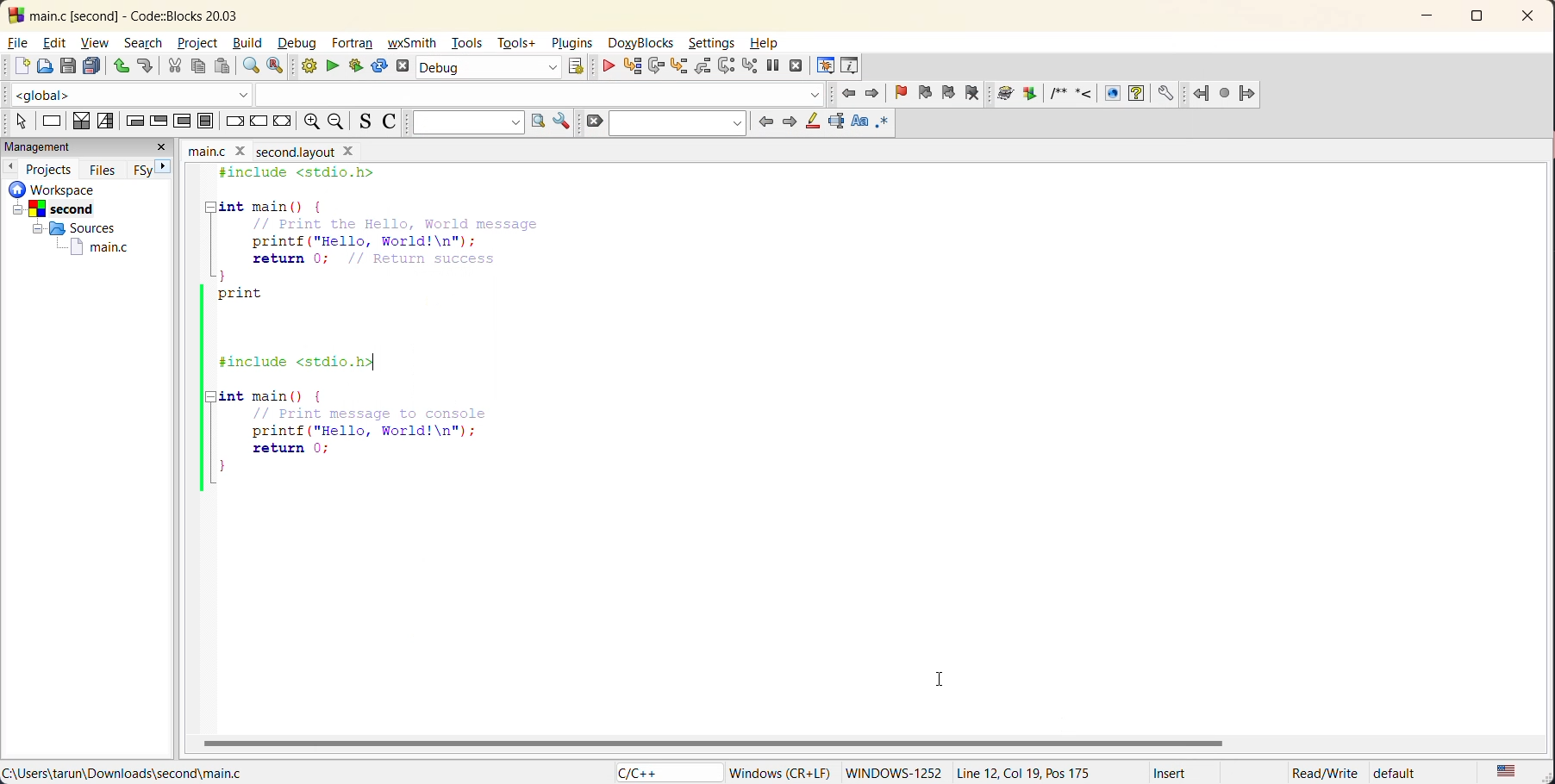  Describe the element at coordinates (709, 42) in the screenshot. I see `settings` at that location.